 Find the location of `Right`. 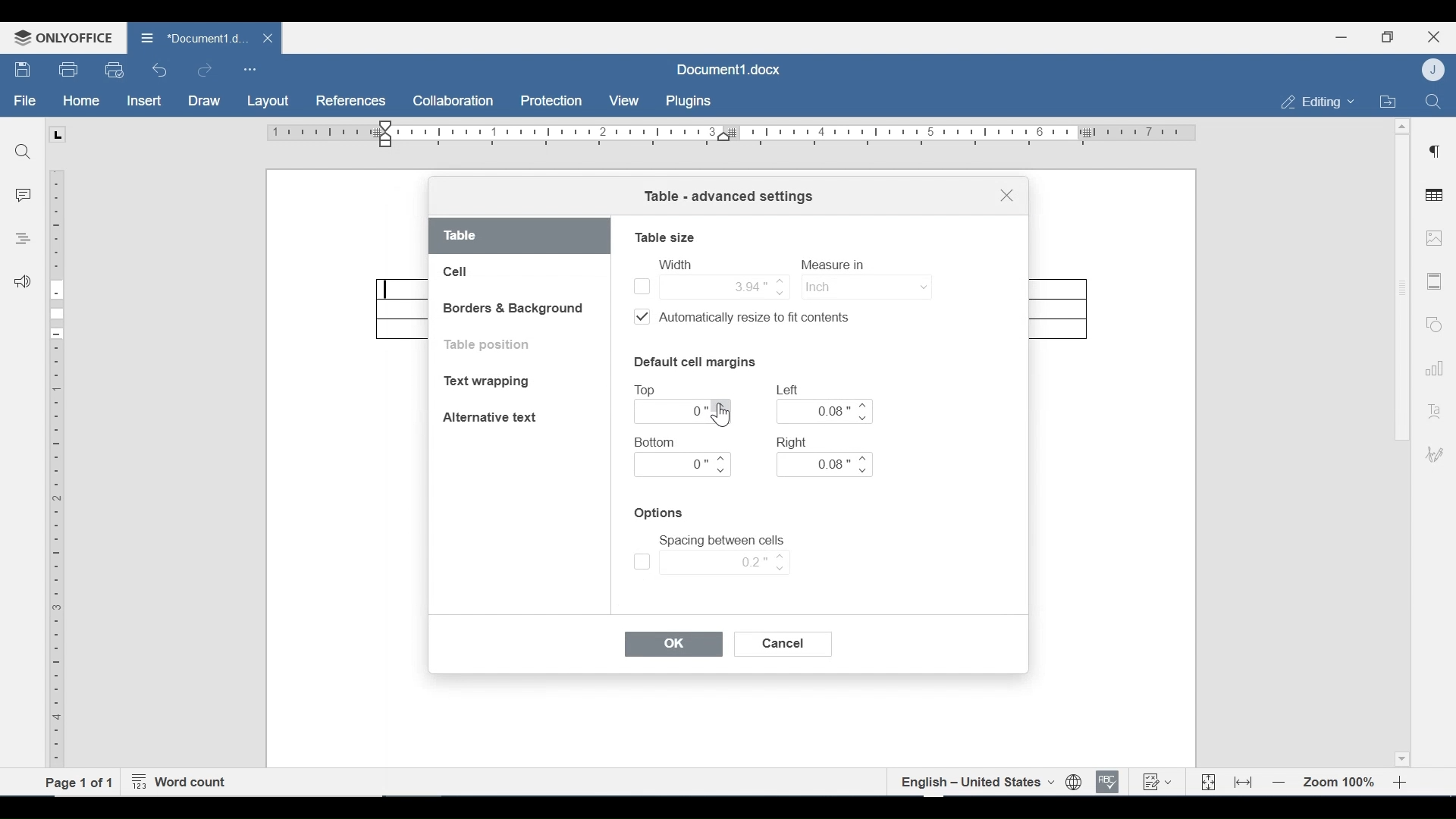

Right is located at coordinates (794, 441).